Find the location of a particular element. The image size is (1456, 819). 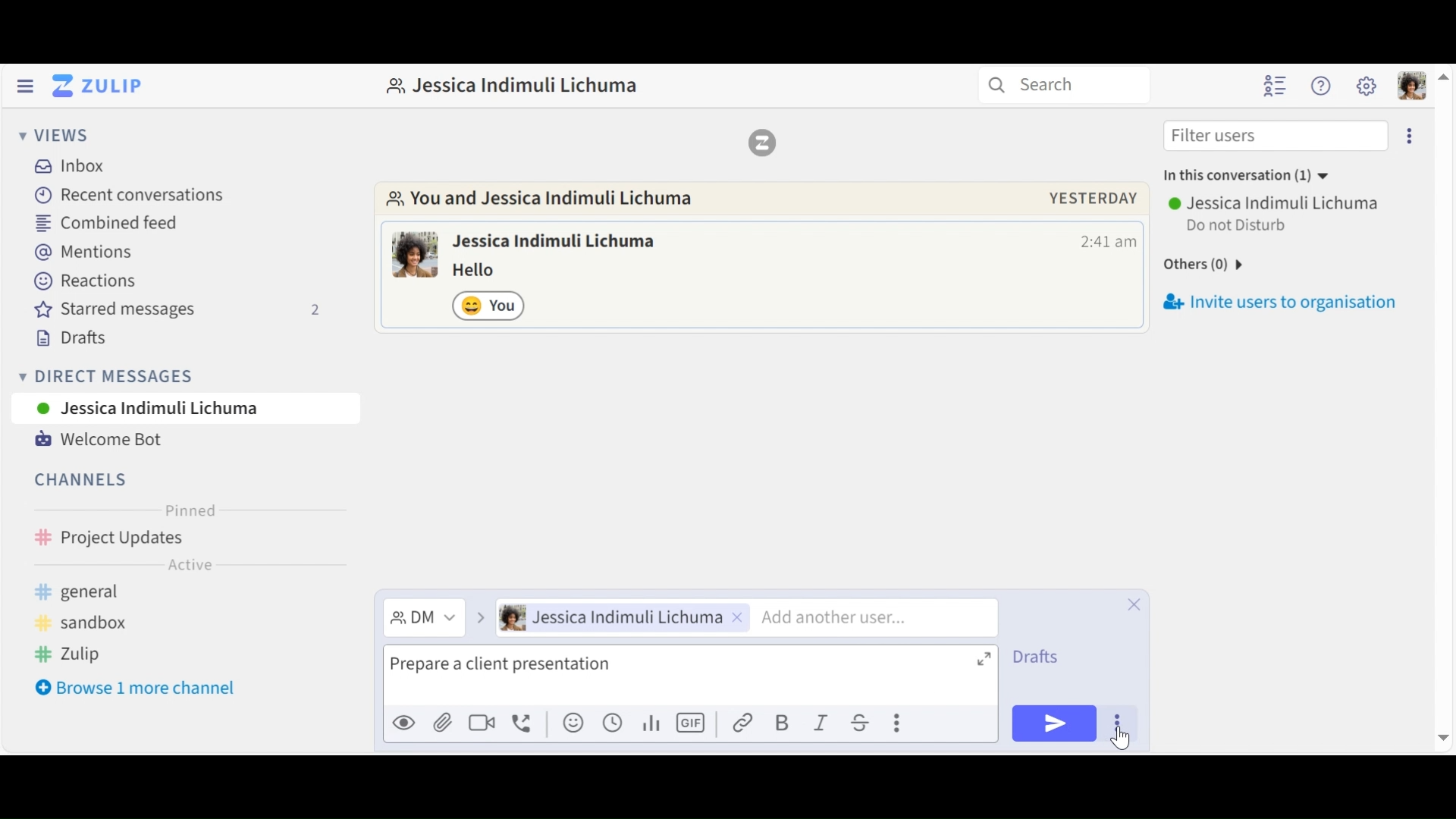

in this conversation(1) is located at coordinates (1260, 177).